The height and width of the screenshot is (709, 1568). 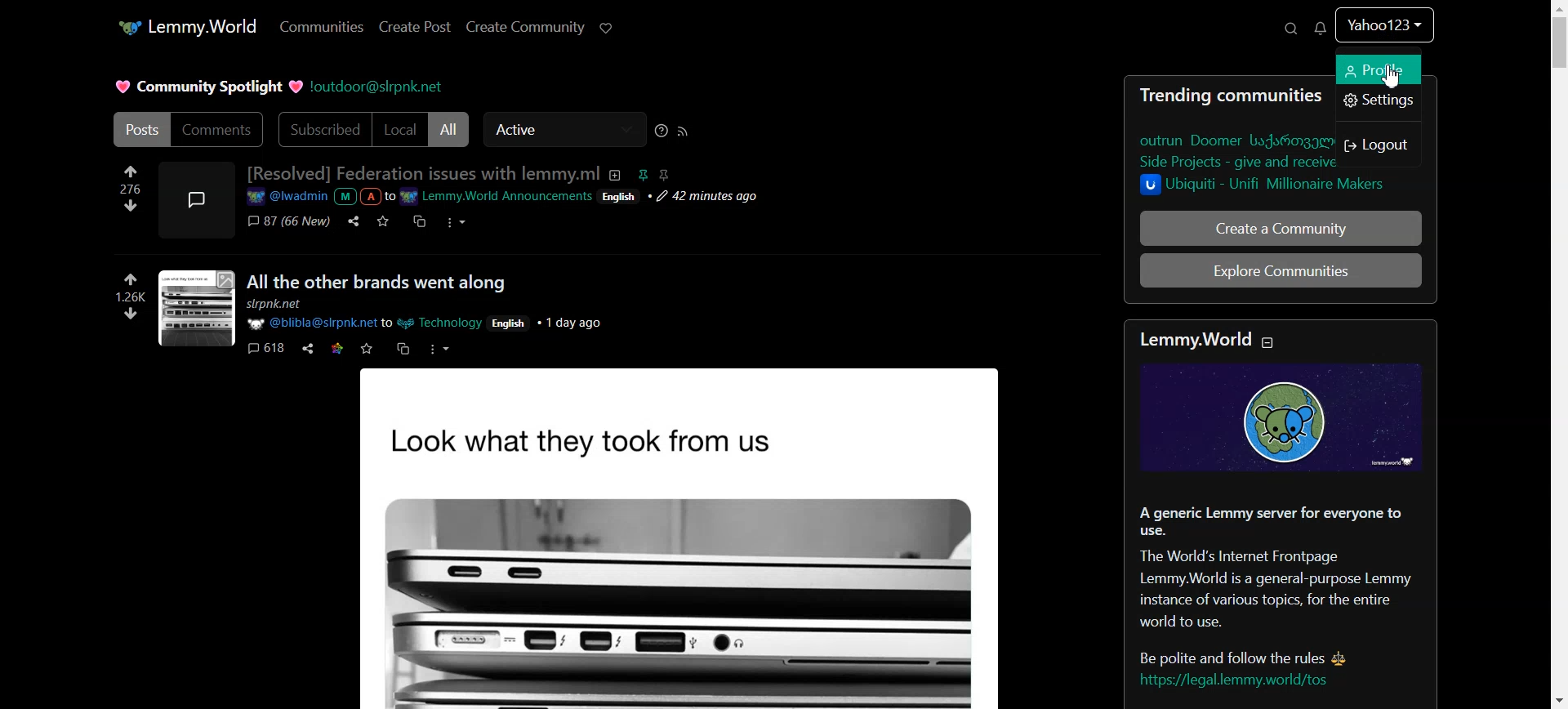 What do you see at coordinates (616, 176) in the screenshot?
I see `About` at bounding box center [616, 176].